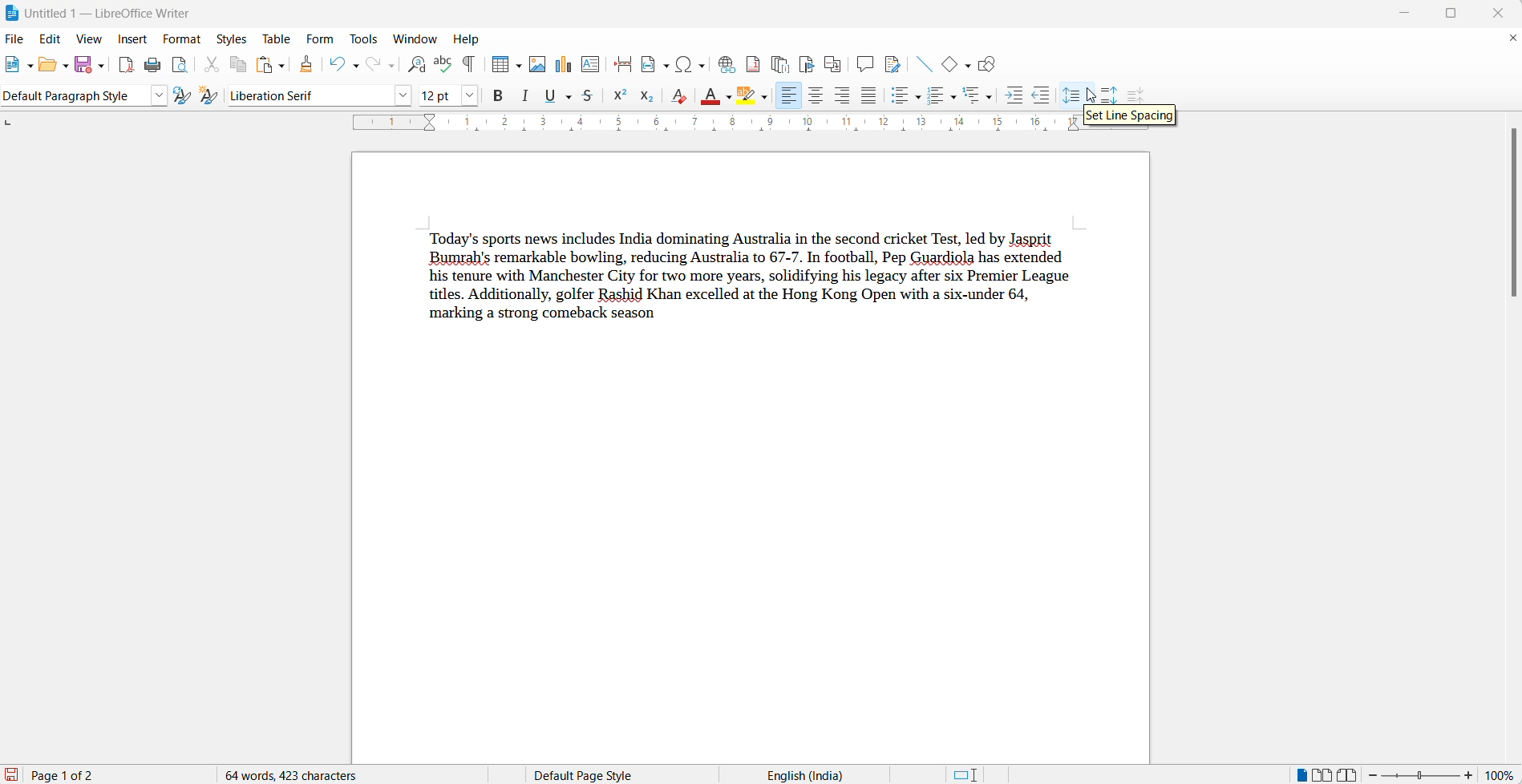 This screenshot has height=784, width=1522. What do you see at coordinates (1071, 94) in the screenshot?
I see `set line spacing icon` at bounding box center [1071, 94].